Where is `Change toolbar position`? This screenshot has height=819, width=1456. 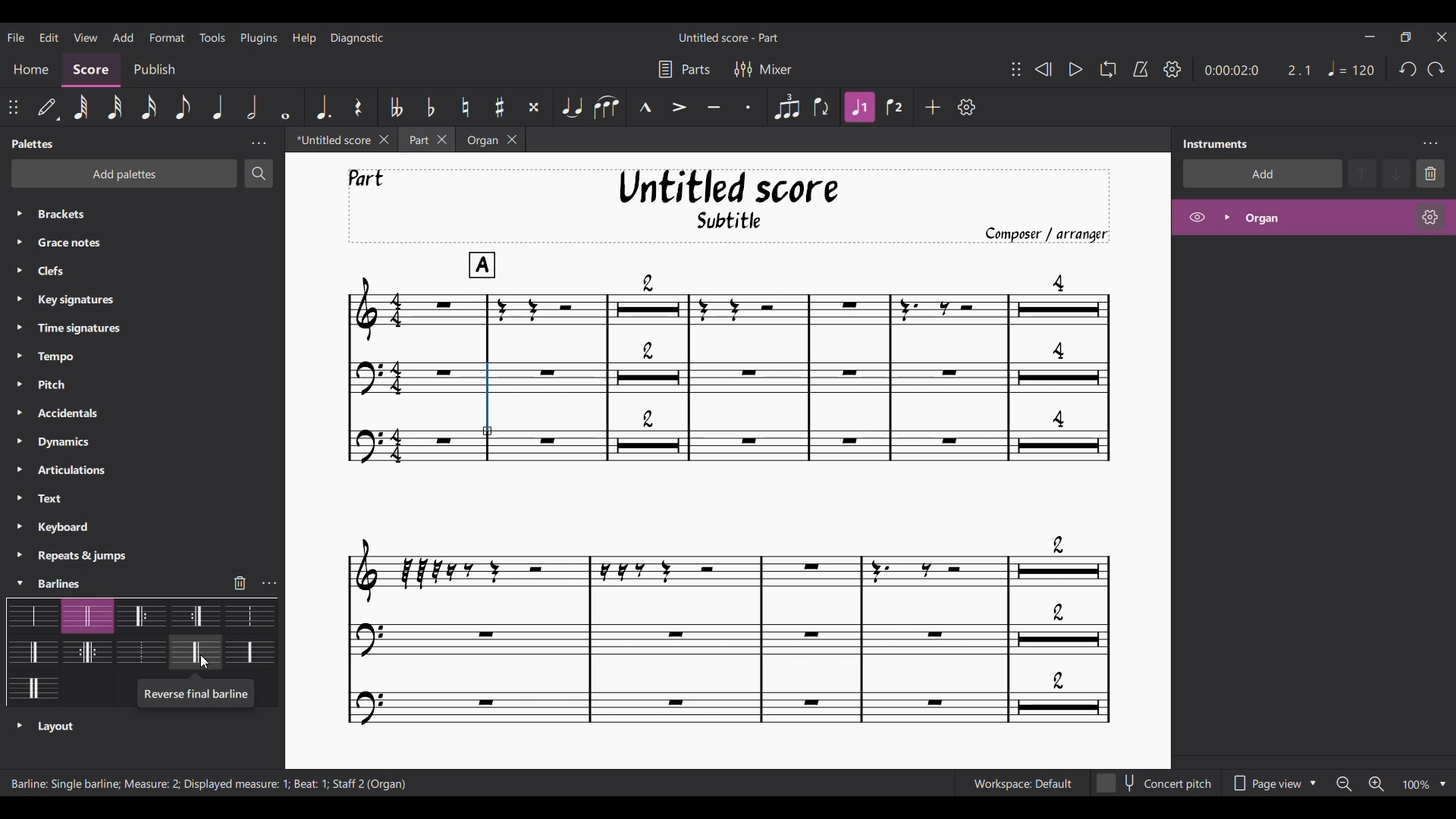 Change toolbar position is located at coordinates (1016, 69).